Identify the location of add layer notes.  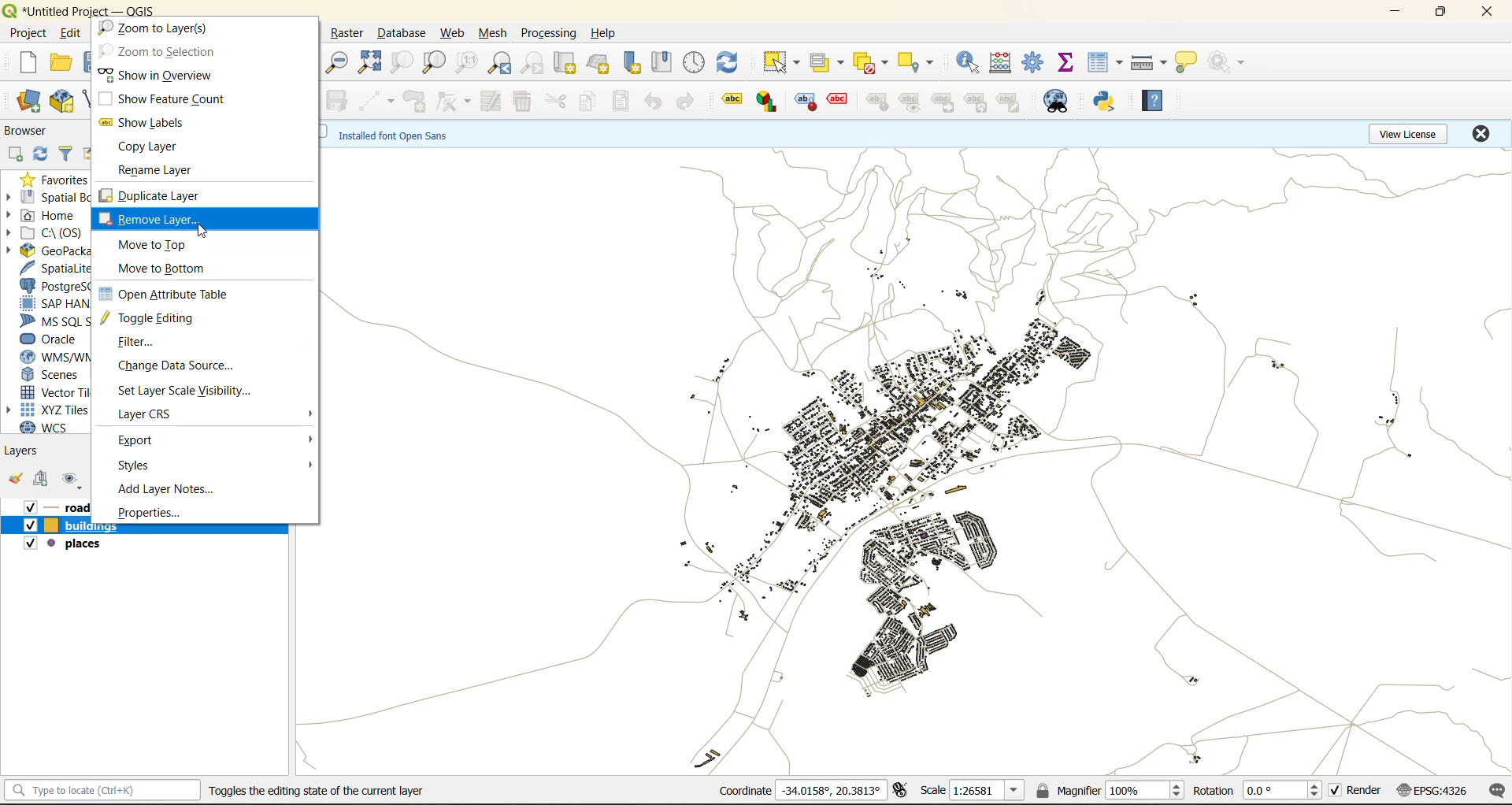
(171, 489).